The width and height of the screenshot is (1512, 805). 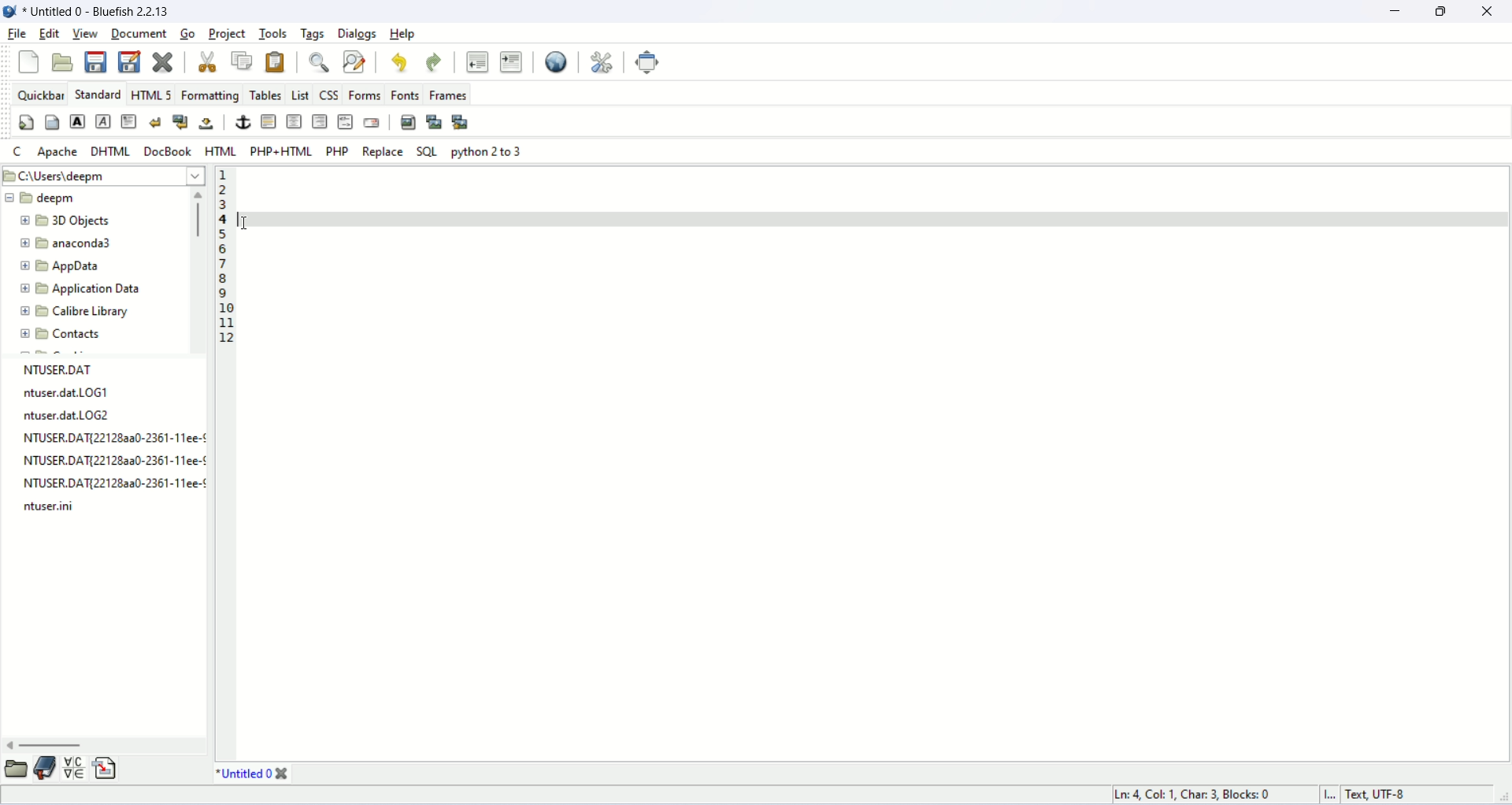 What do you see at coordinates (151, 95) in the screenshot?
I see `html5` at bounding box center [151, 95].